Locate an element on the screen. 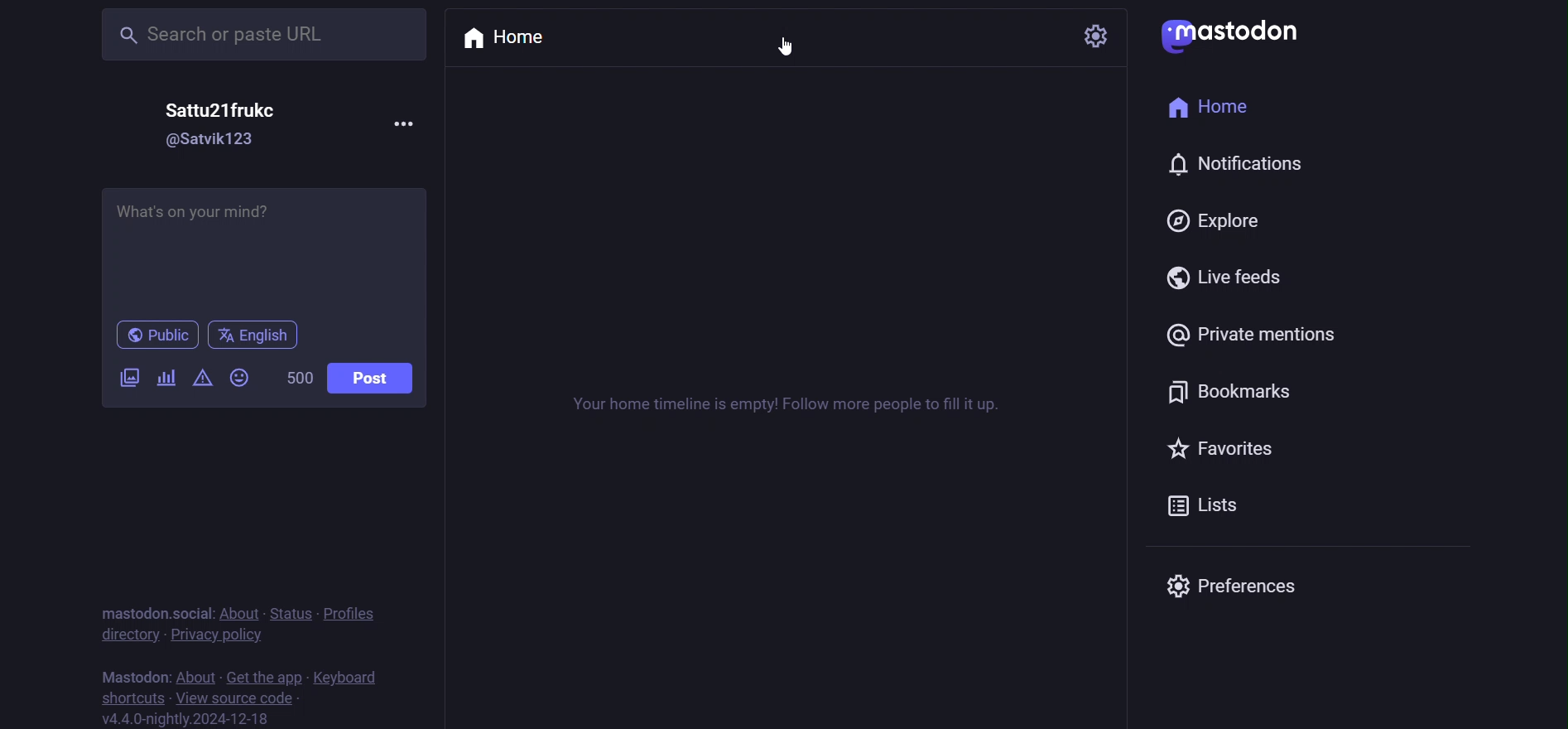 Image resolution: width=1568 pixels, height=729 pixels. favorites is located at coordinates (1223, 451).